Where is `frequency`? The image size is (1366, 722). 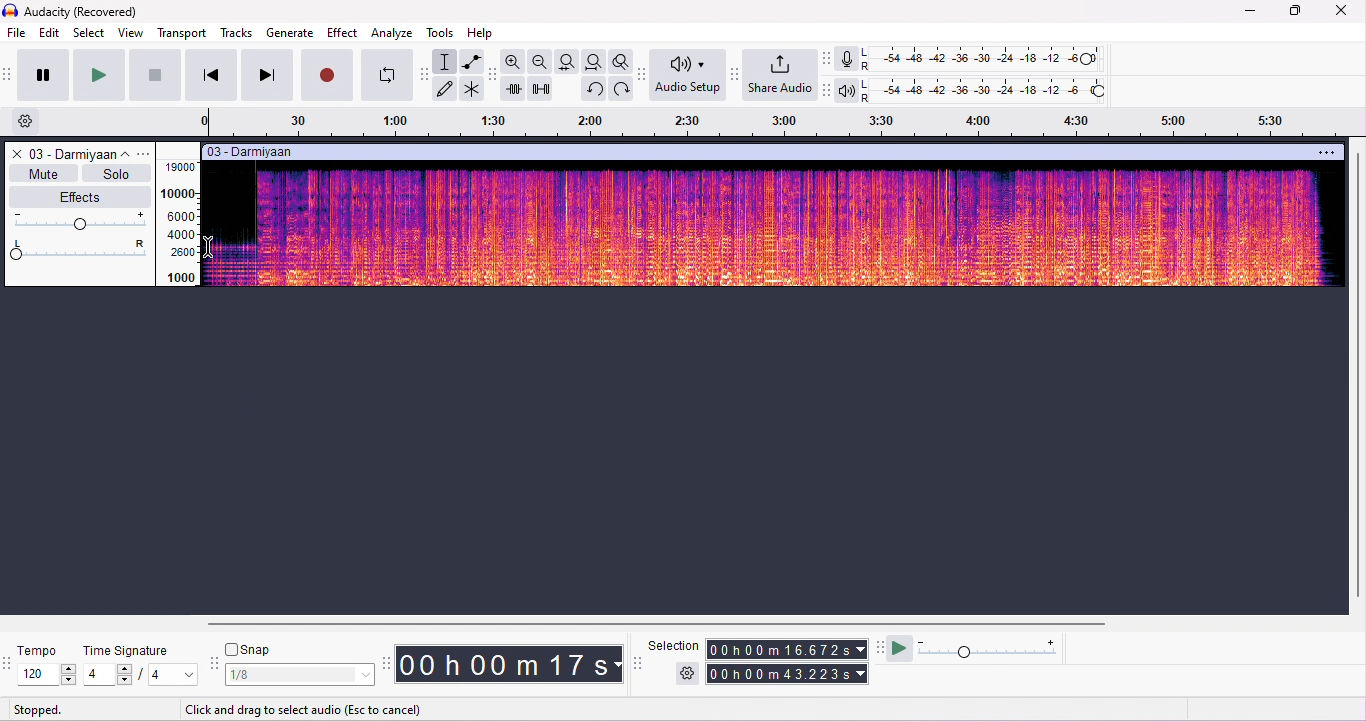 frequency is located at coordinates (181, 224).